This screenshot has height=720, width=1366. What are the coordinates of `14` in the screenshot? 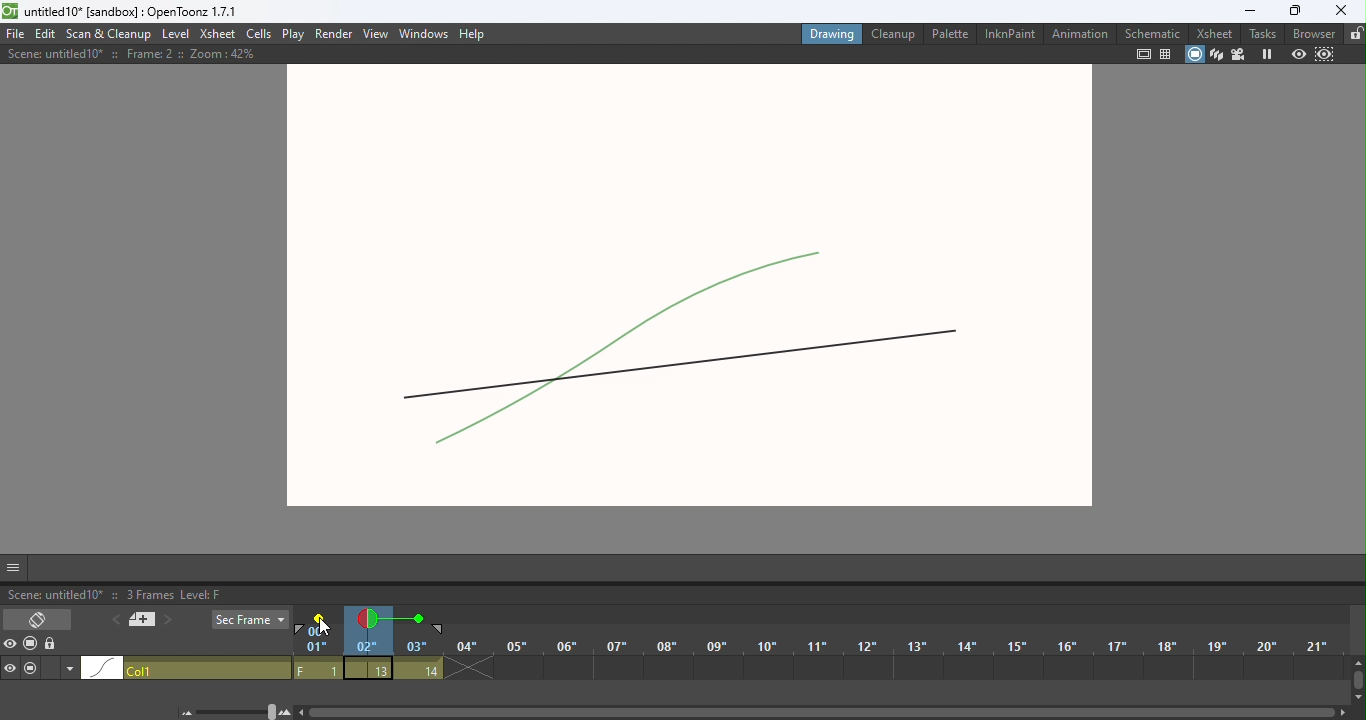 It's located at (418, 669).